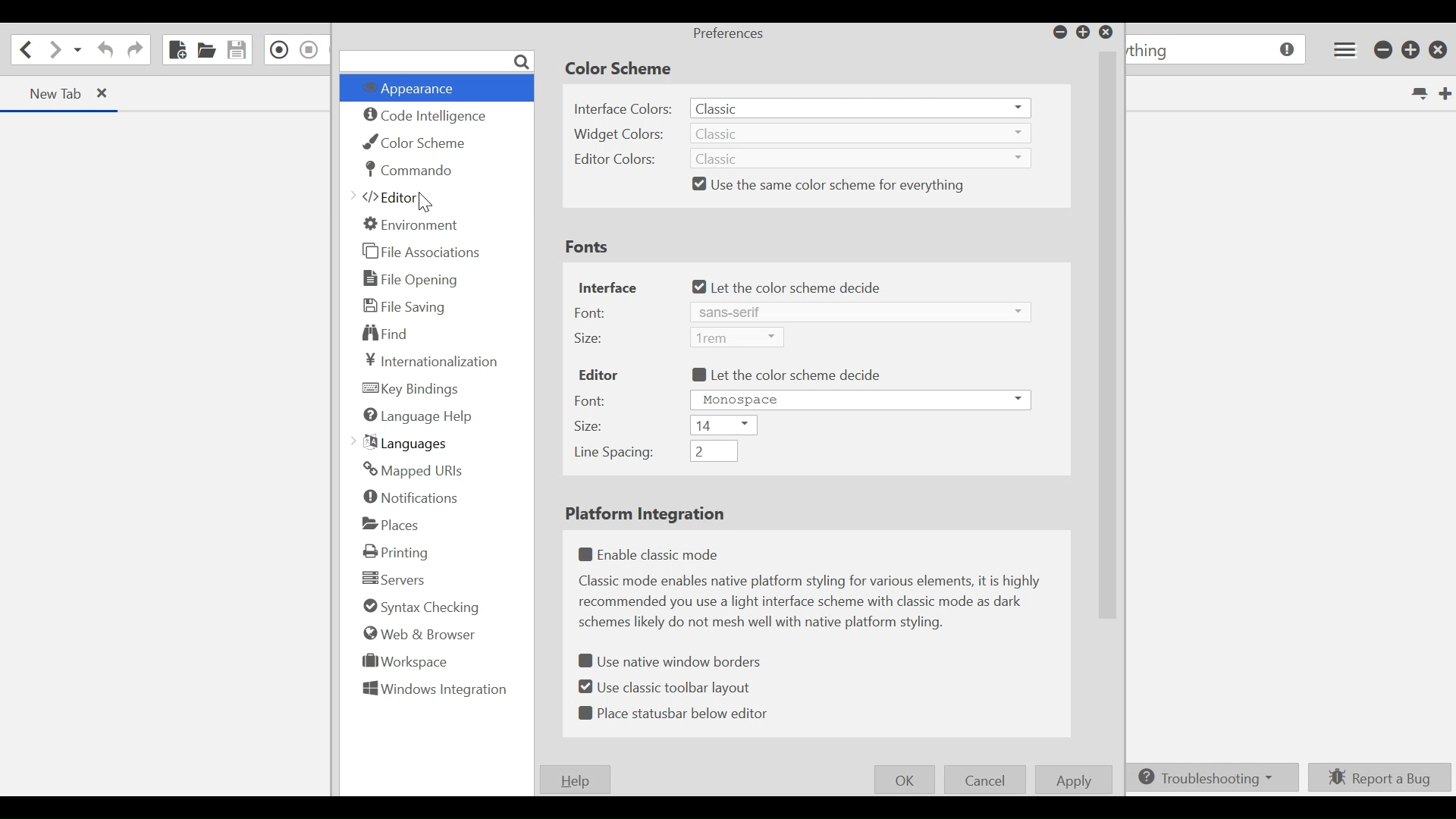  I want to click on classic, so click(864, 158).